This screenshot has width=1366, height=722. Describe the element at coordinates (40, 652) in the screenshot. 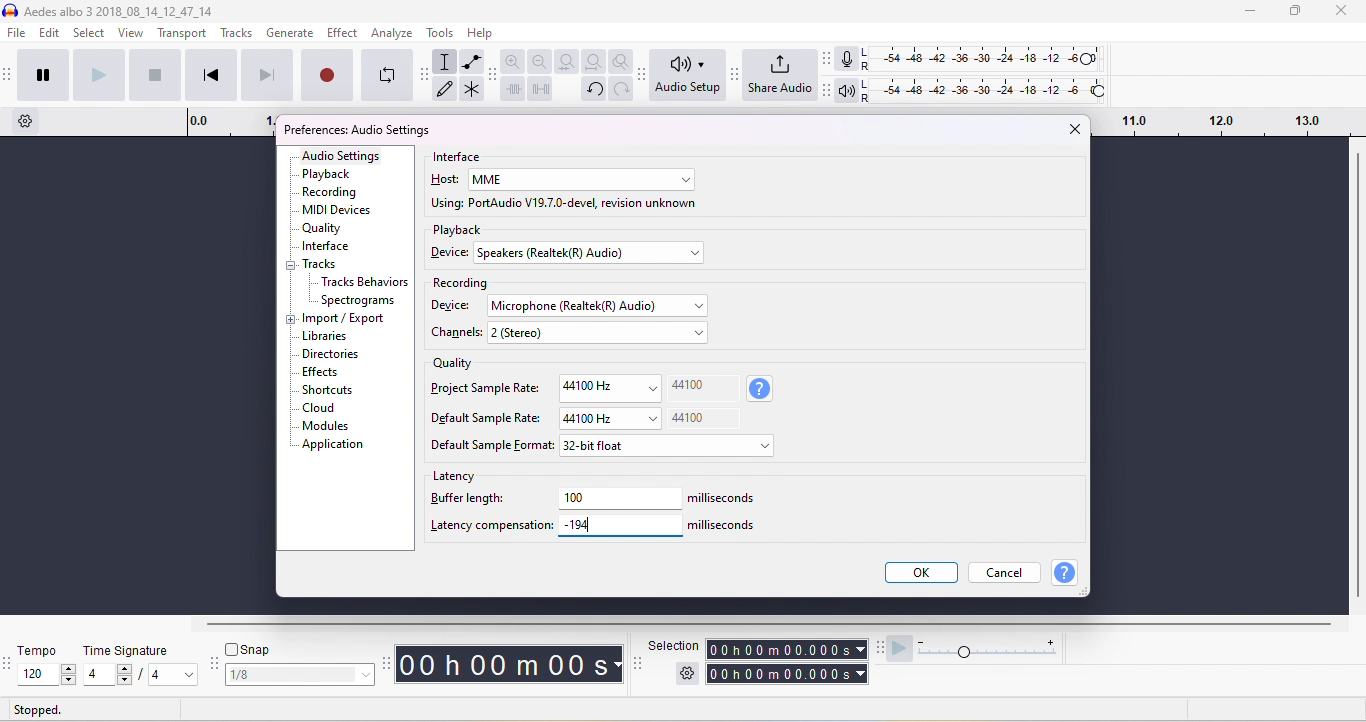

I see `tempo` at that location.